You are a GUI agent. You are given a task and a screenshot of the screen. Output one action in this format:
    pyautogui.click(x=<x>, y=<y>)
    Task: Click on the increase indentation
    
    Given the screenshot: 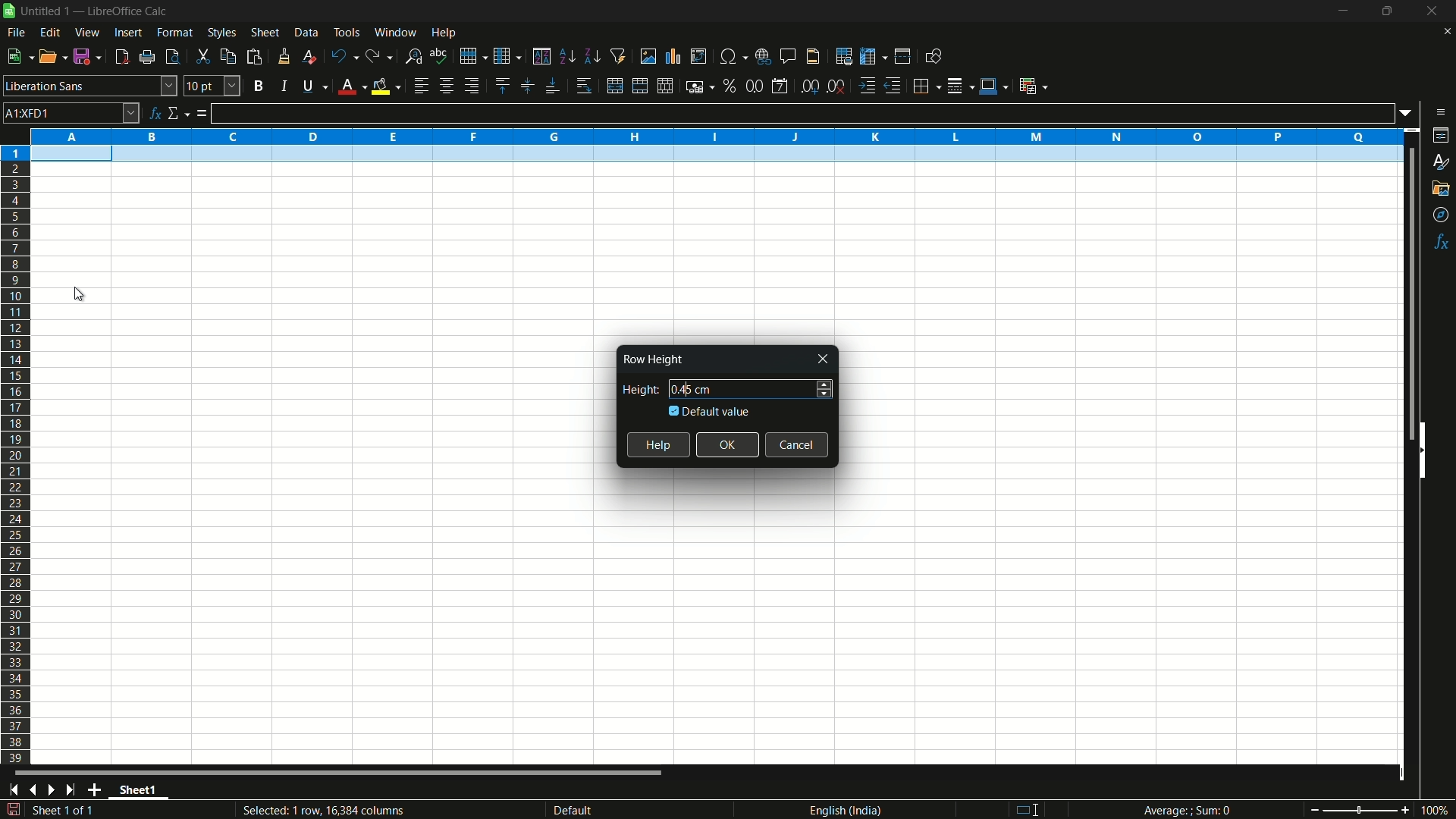 What is the action you would take?
    pyautogui.click(x=868, y=86)
    